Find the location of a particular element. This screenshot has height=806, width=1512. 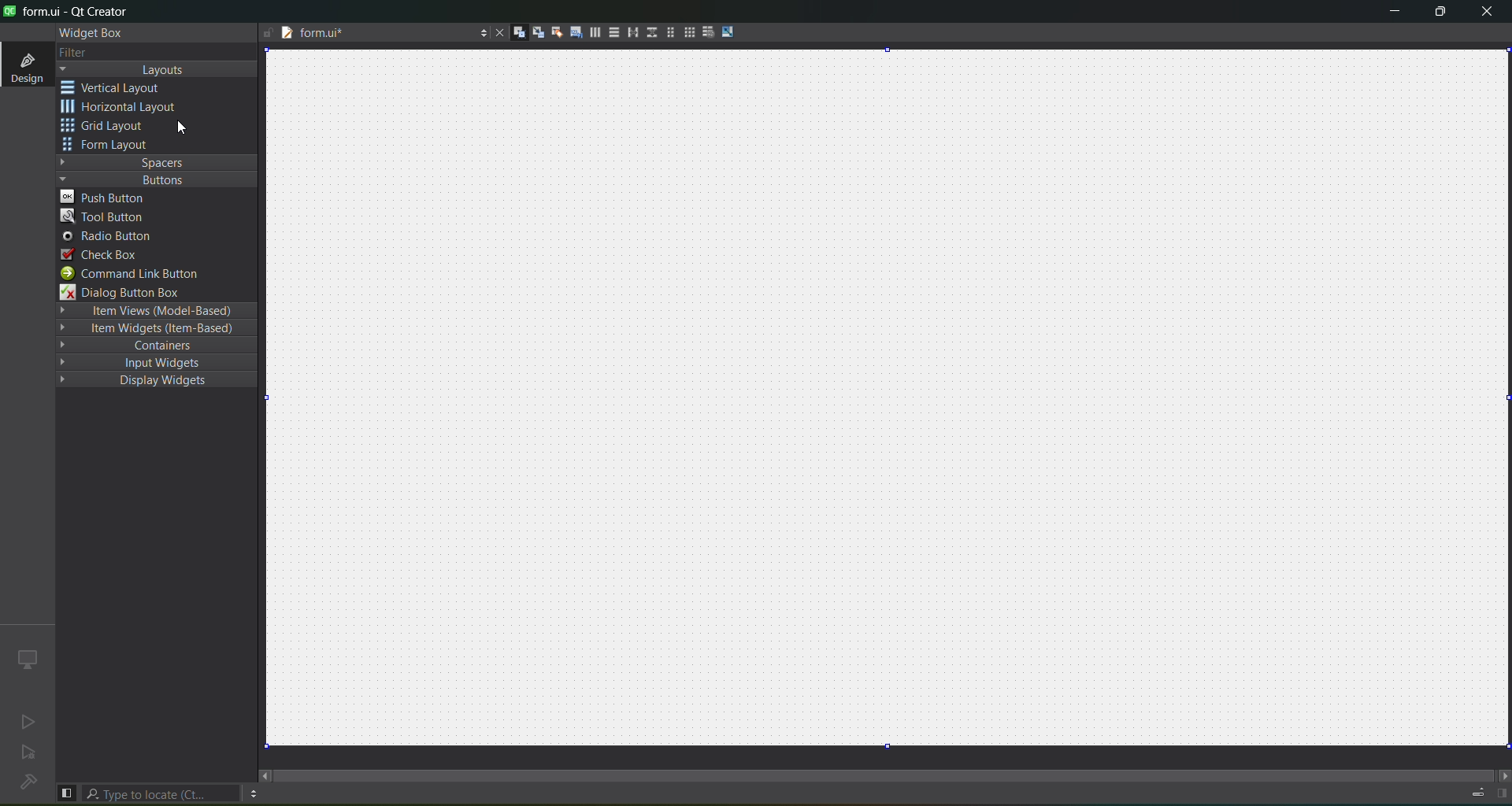

tab name is located at coordinates (360, 35).